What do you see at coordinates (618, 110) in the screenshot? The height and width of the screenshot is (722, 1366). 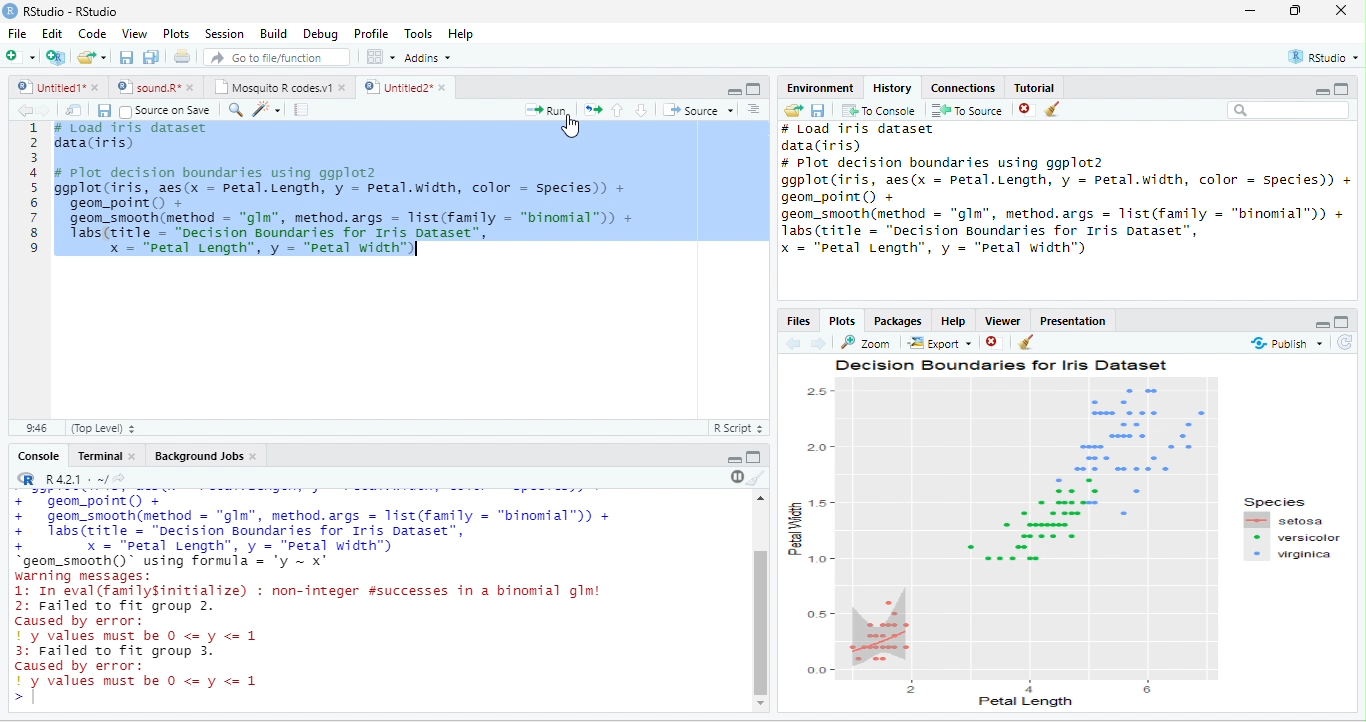 I see `up` at bounding box center [618, 110].